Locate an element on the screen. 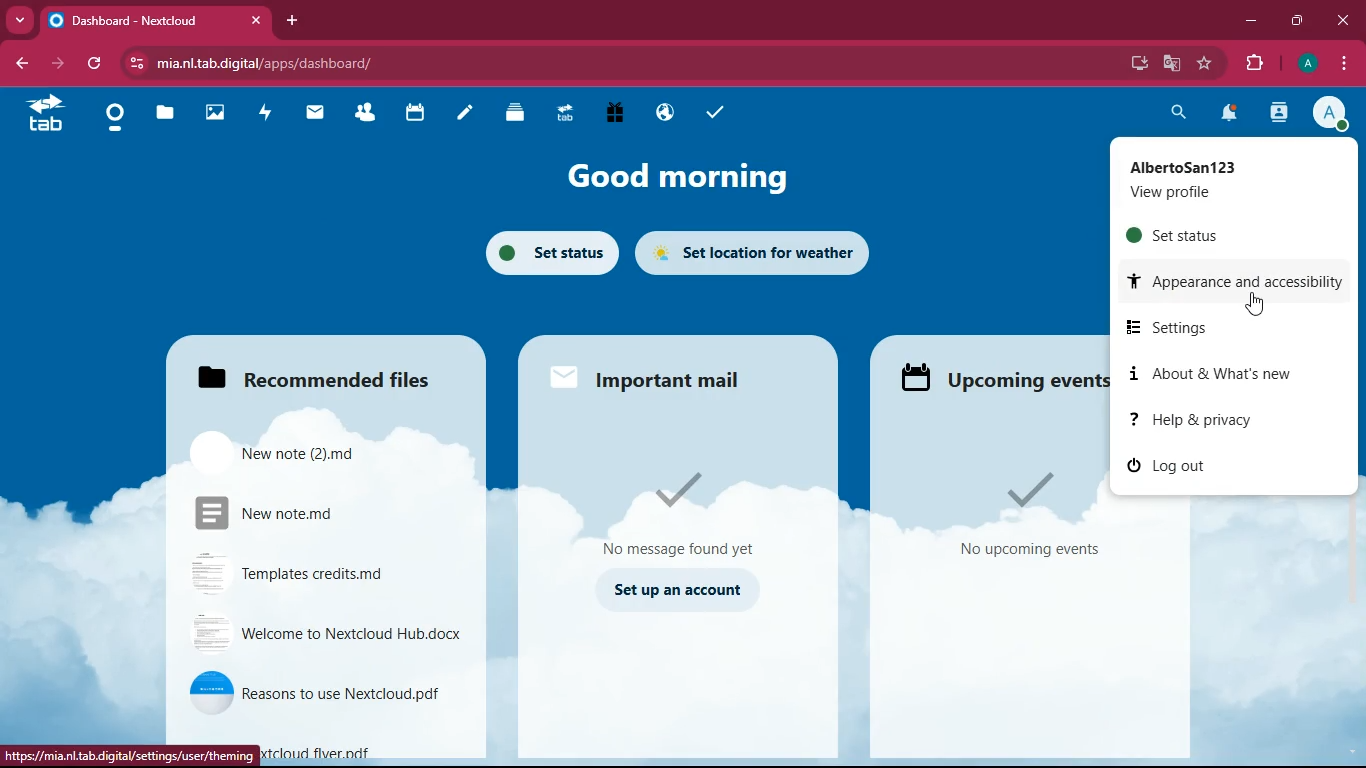 The width and height of the screenshot is (1366, 768). tasks is located at coordinates (723, 114).